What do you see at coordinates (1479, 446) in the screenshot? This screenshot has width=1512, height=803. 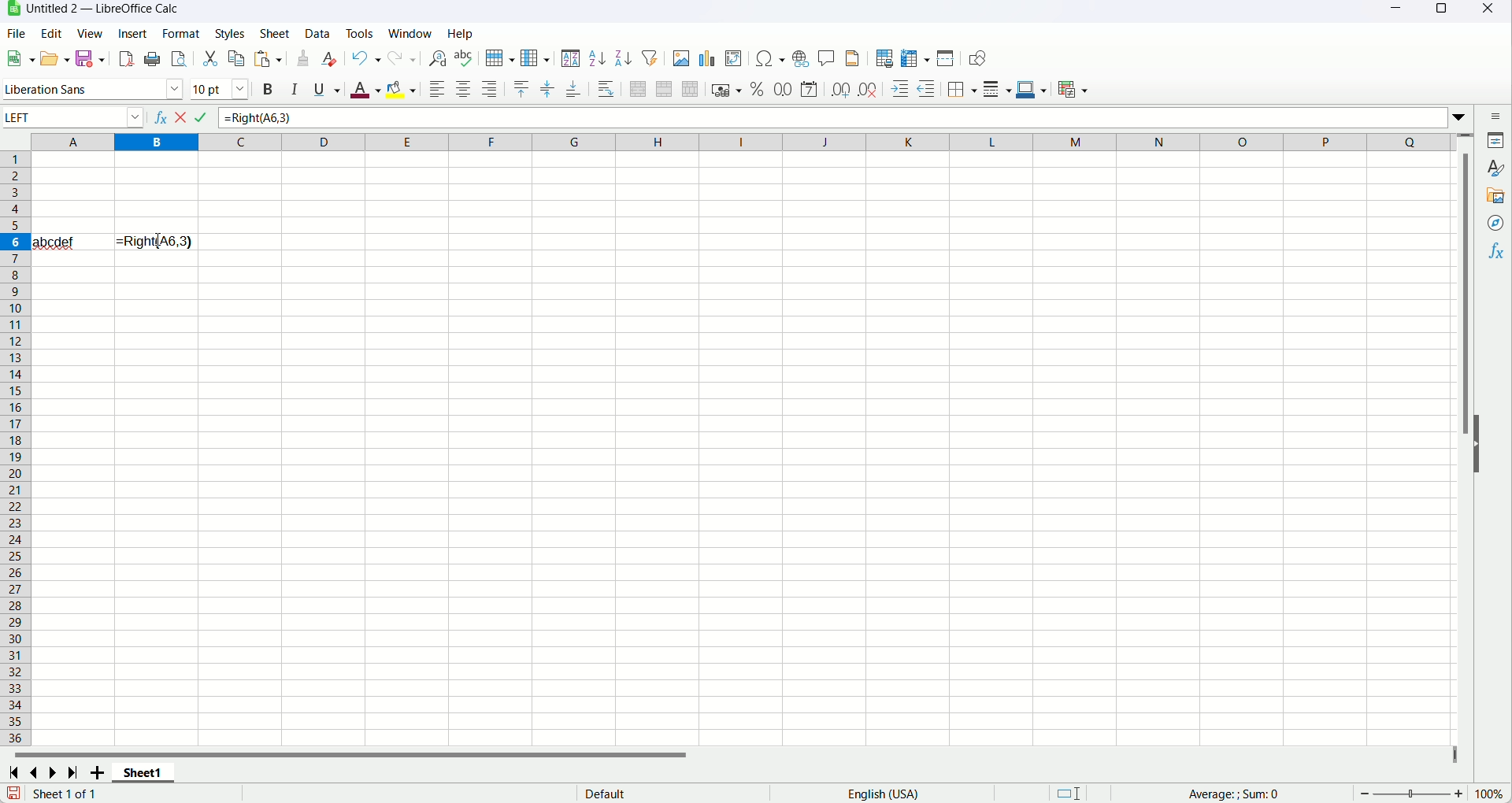 I see `hide` at bounding box center [1479, 446].